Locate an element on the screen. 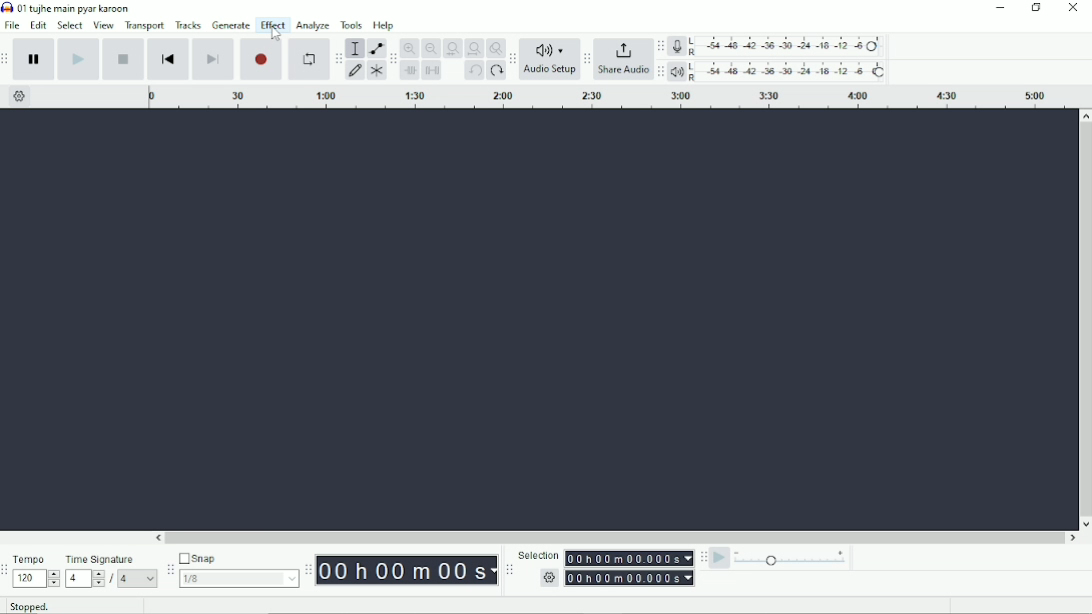 This screenshot has height=614, width=1092. Audacity Share Audio toolbar is located at coordinates (586, 58).